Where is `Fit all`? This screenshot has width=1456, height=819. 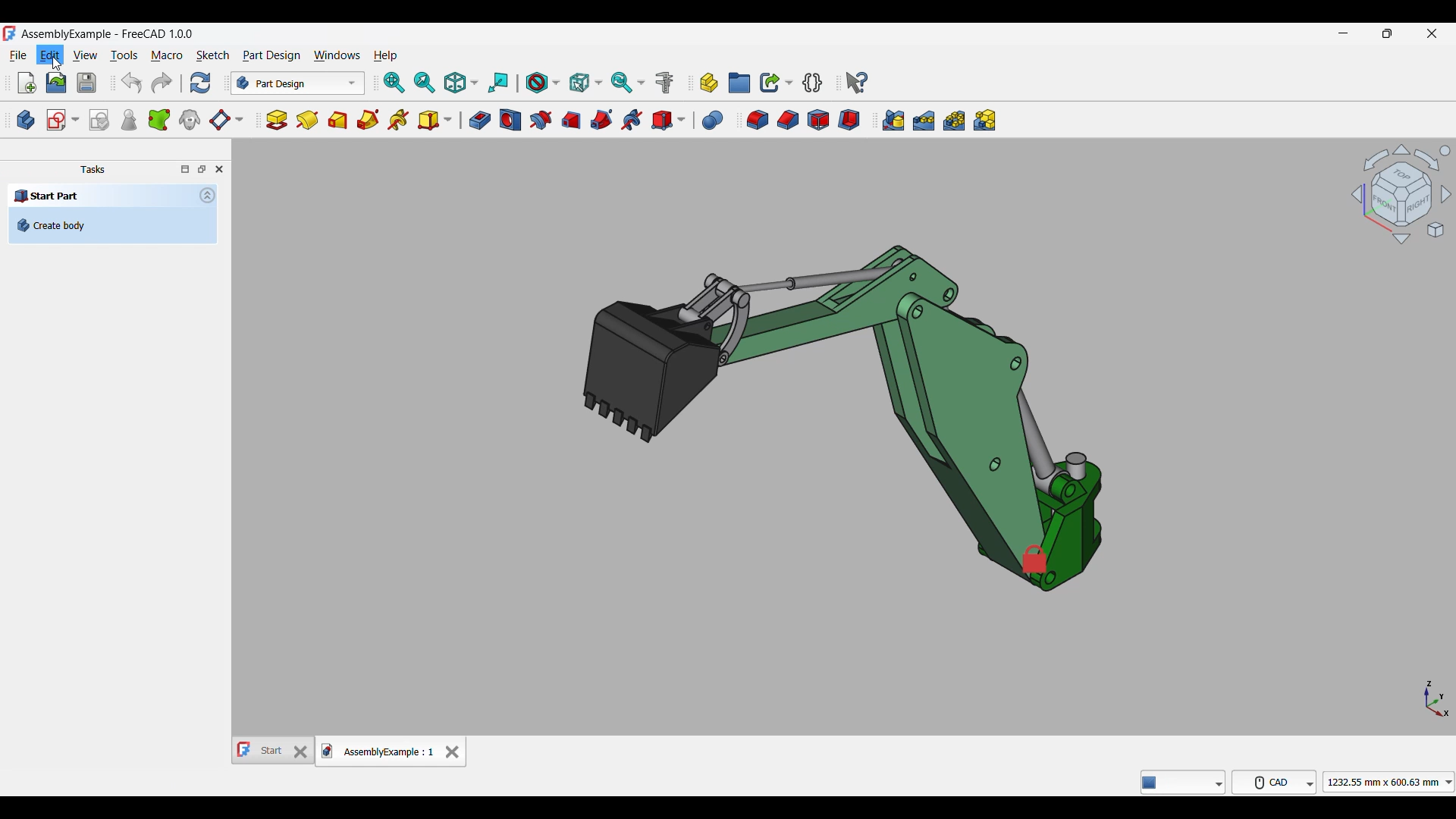
Fit all is located at coordinates (394, 83).